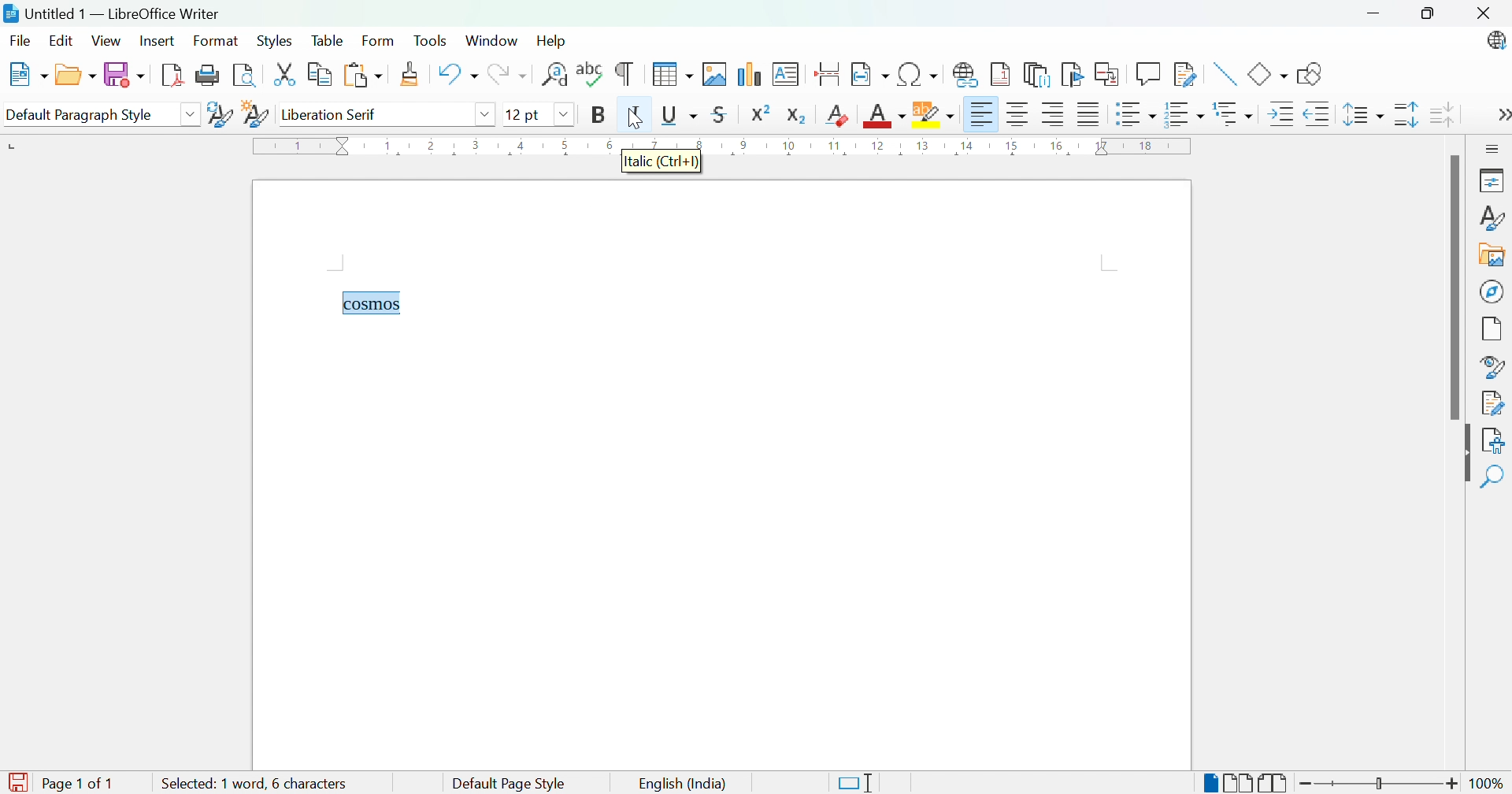 The image size is (1512, 794). I want to click on File, so click(22, 41).